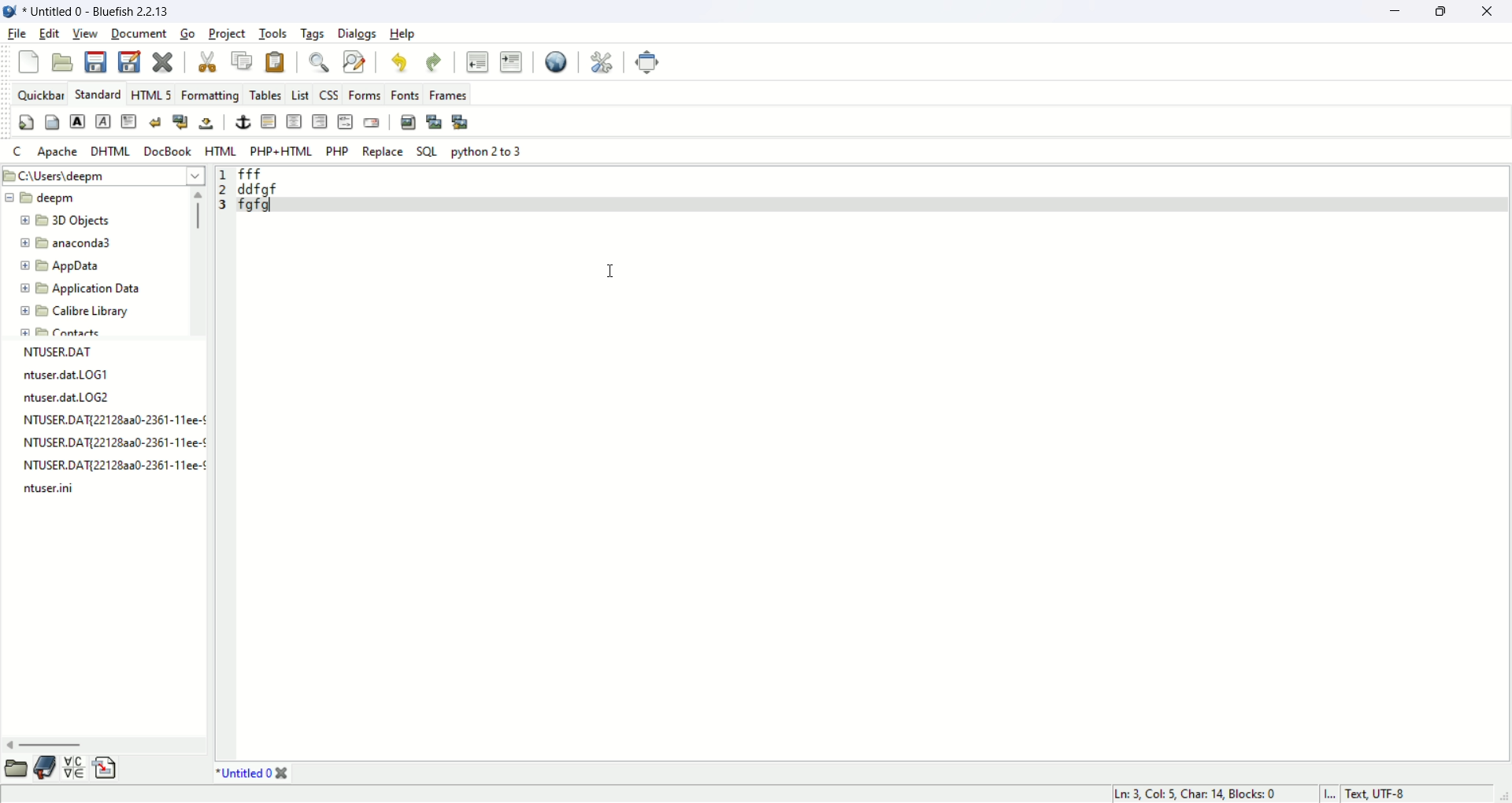 This screenshot has width=1512, height=803. What do you see at coordinates (165, 61) in the screenshot?
I see `close current file` at bounding box center [165, 61].